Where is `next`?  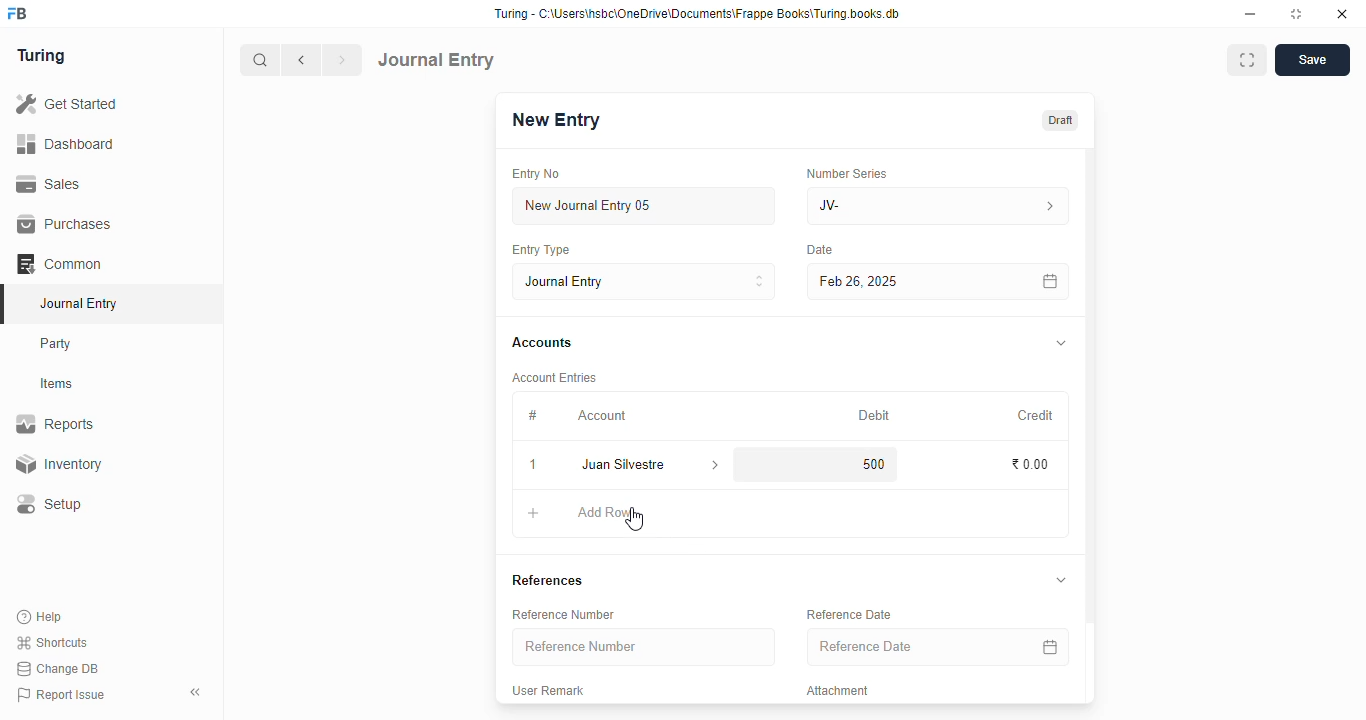
next is located at coordinates (344, 60).